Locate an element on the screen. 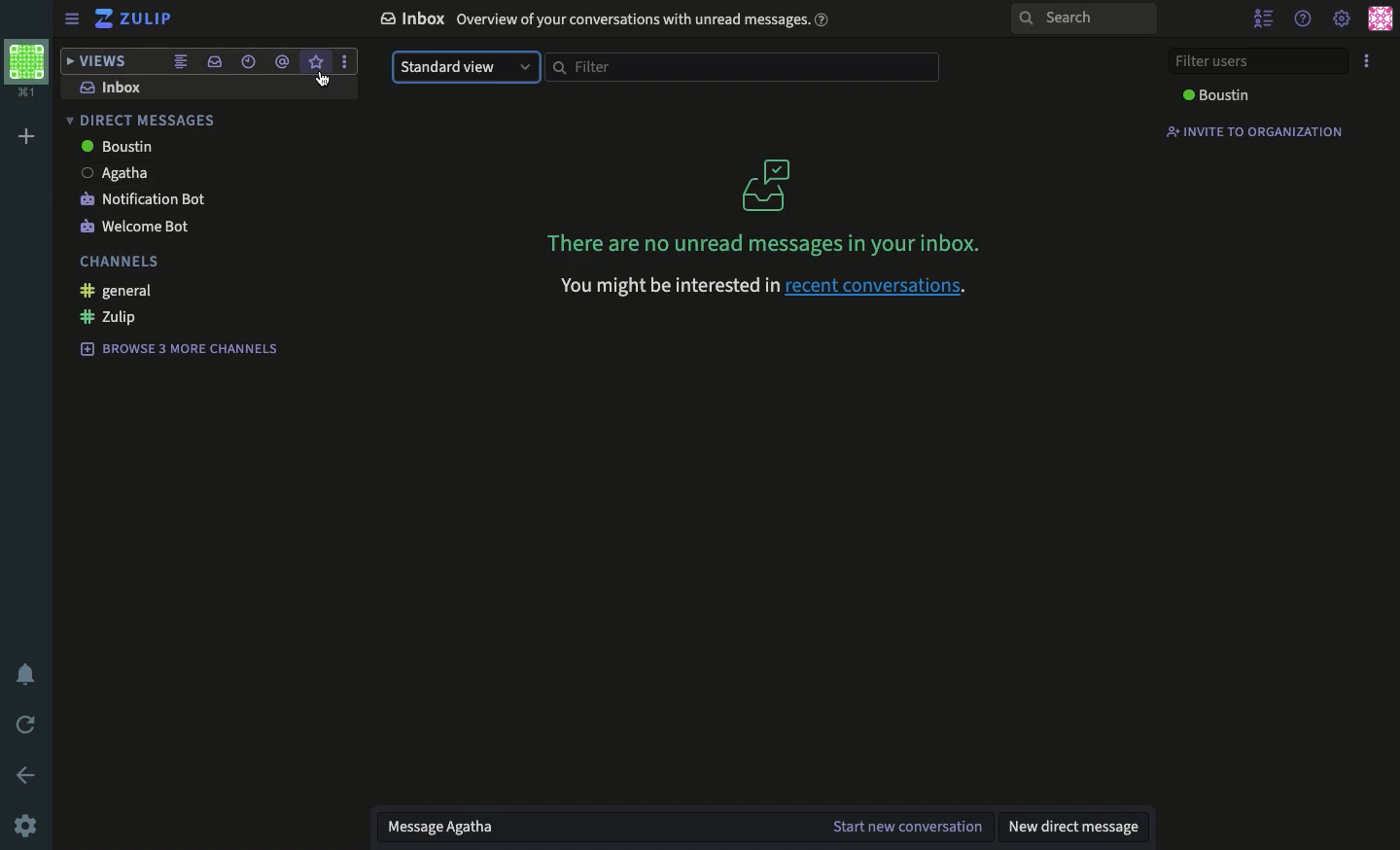  browse 3 more channels  is located at coordinates (174, 349).